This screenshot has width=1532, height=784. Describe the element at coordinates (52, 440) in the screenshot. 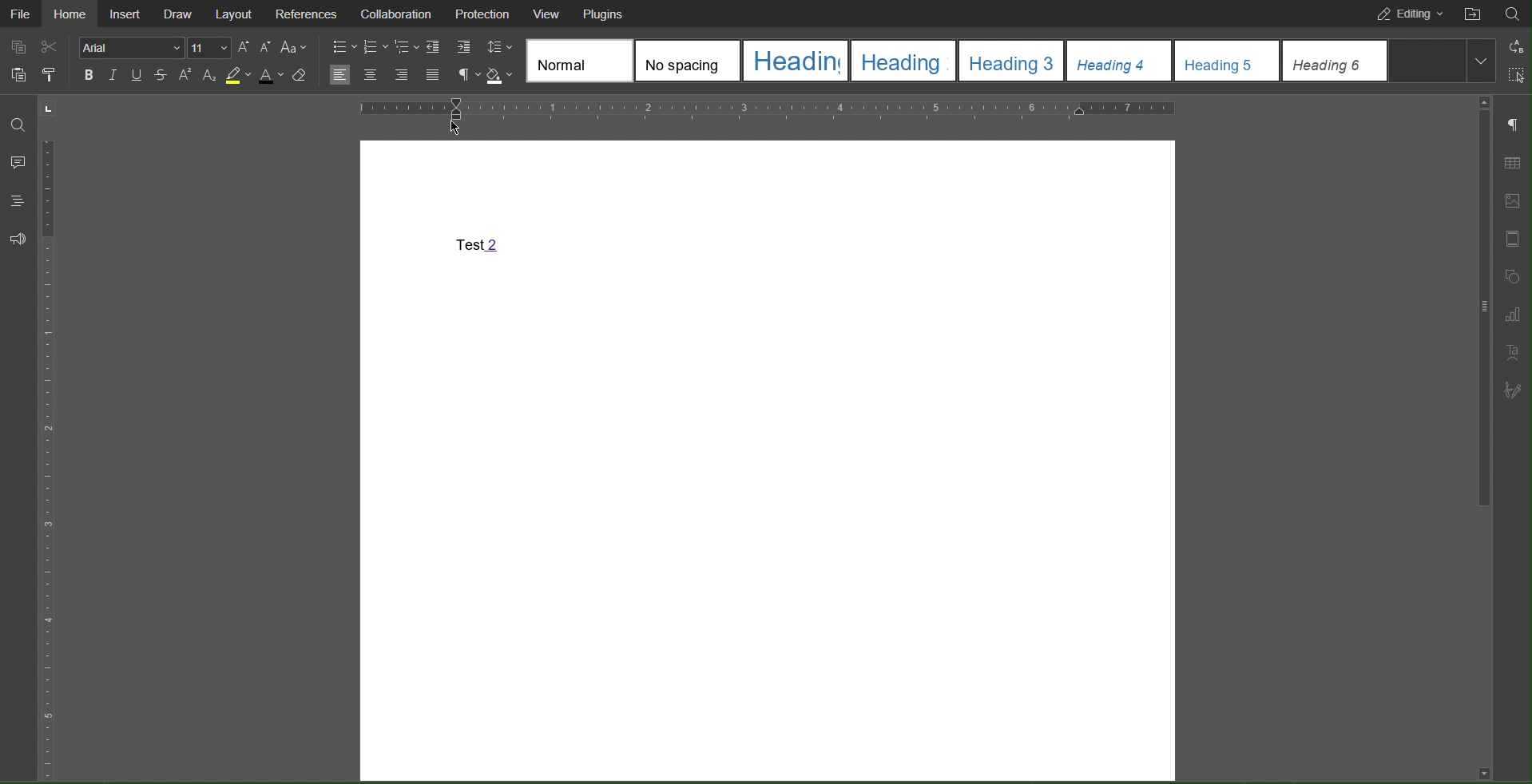

I see `Vertical Ruler` at that location.